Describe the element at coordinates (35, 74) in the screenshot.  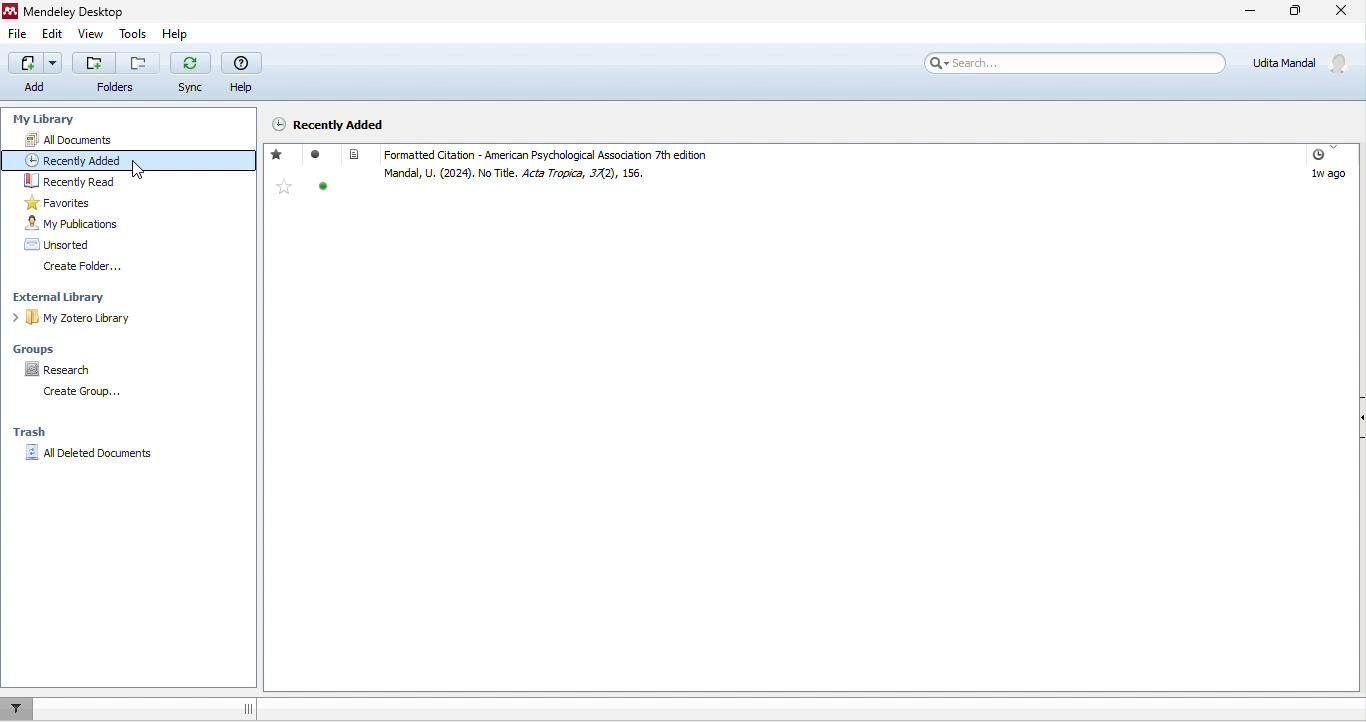
I see `add` at that location.